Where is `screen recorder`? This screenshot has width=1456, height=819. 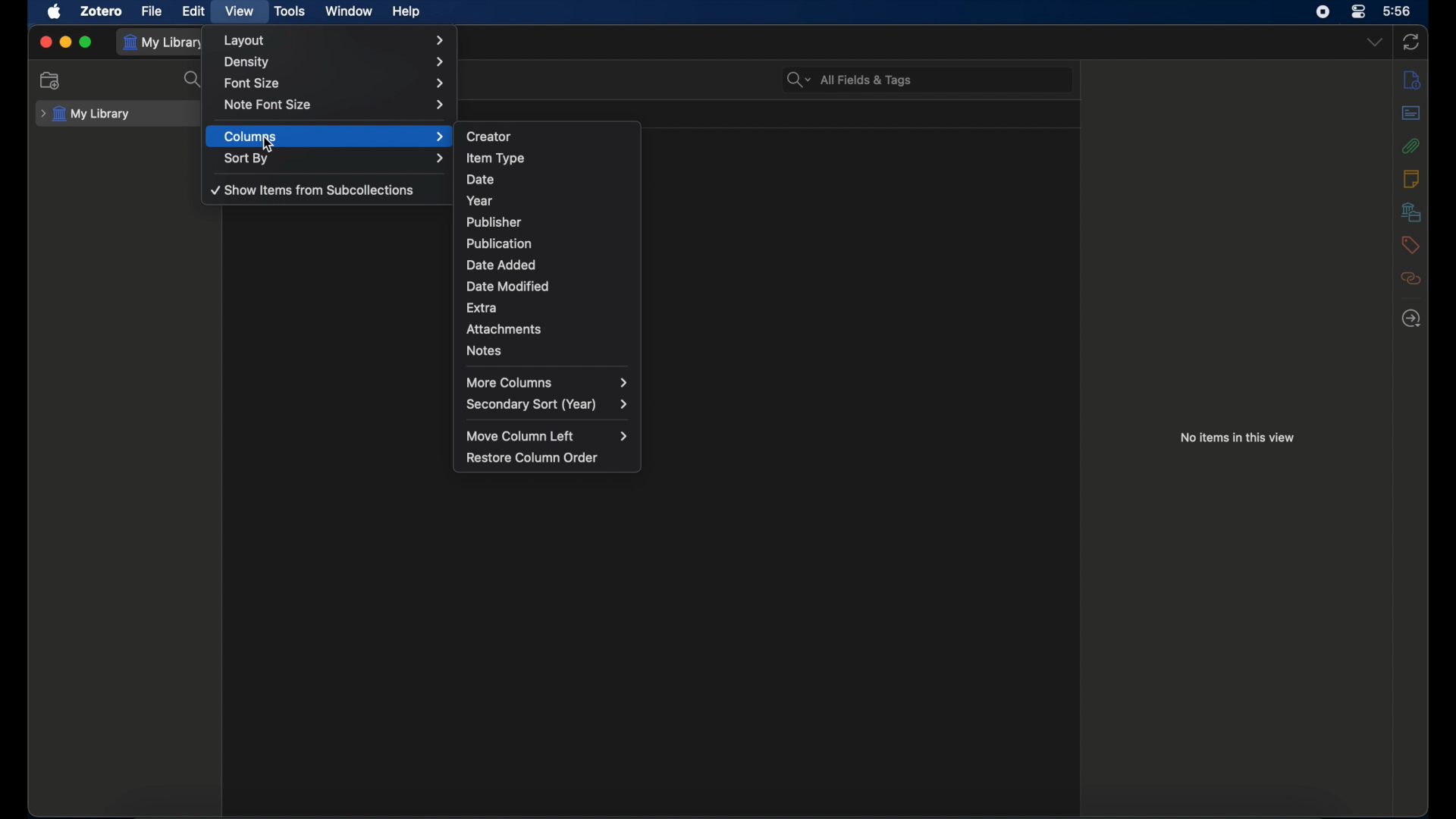
screen recorder is located at coordinates (1323, 12).